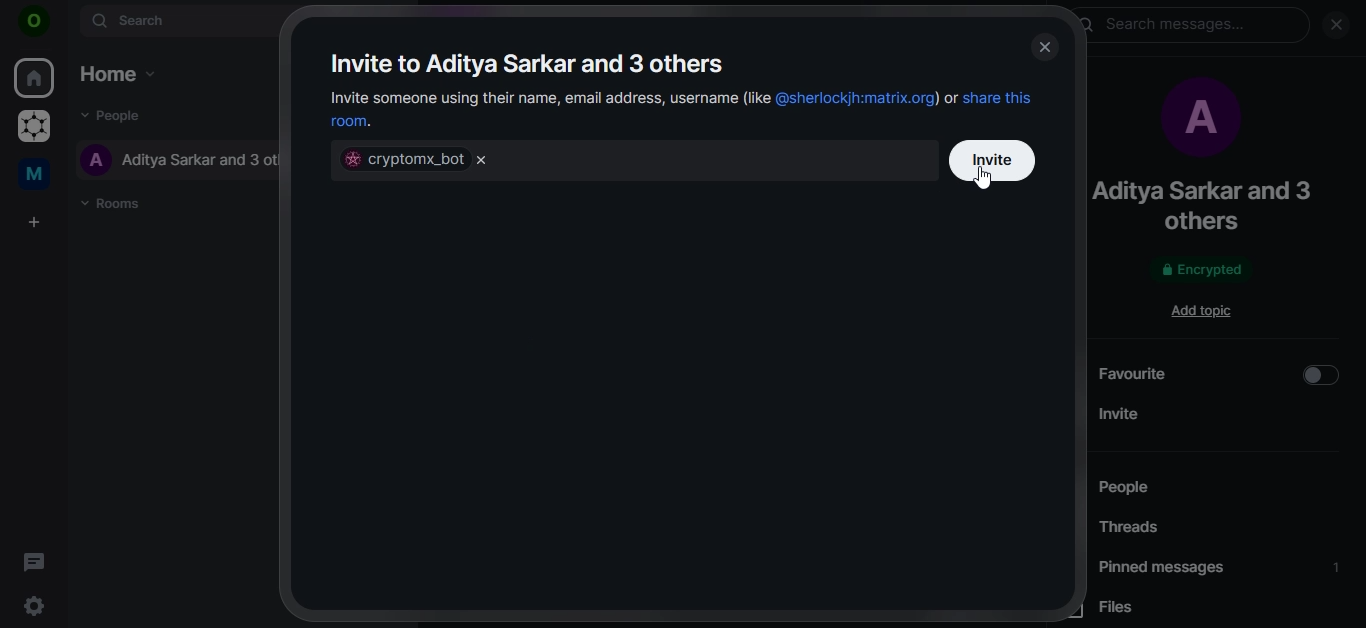 The image size is (1366, 628). I want to click on me, so click(38, 172).